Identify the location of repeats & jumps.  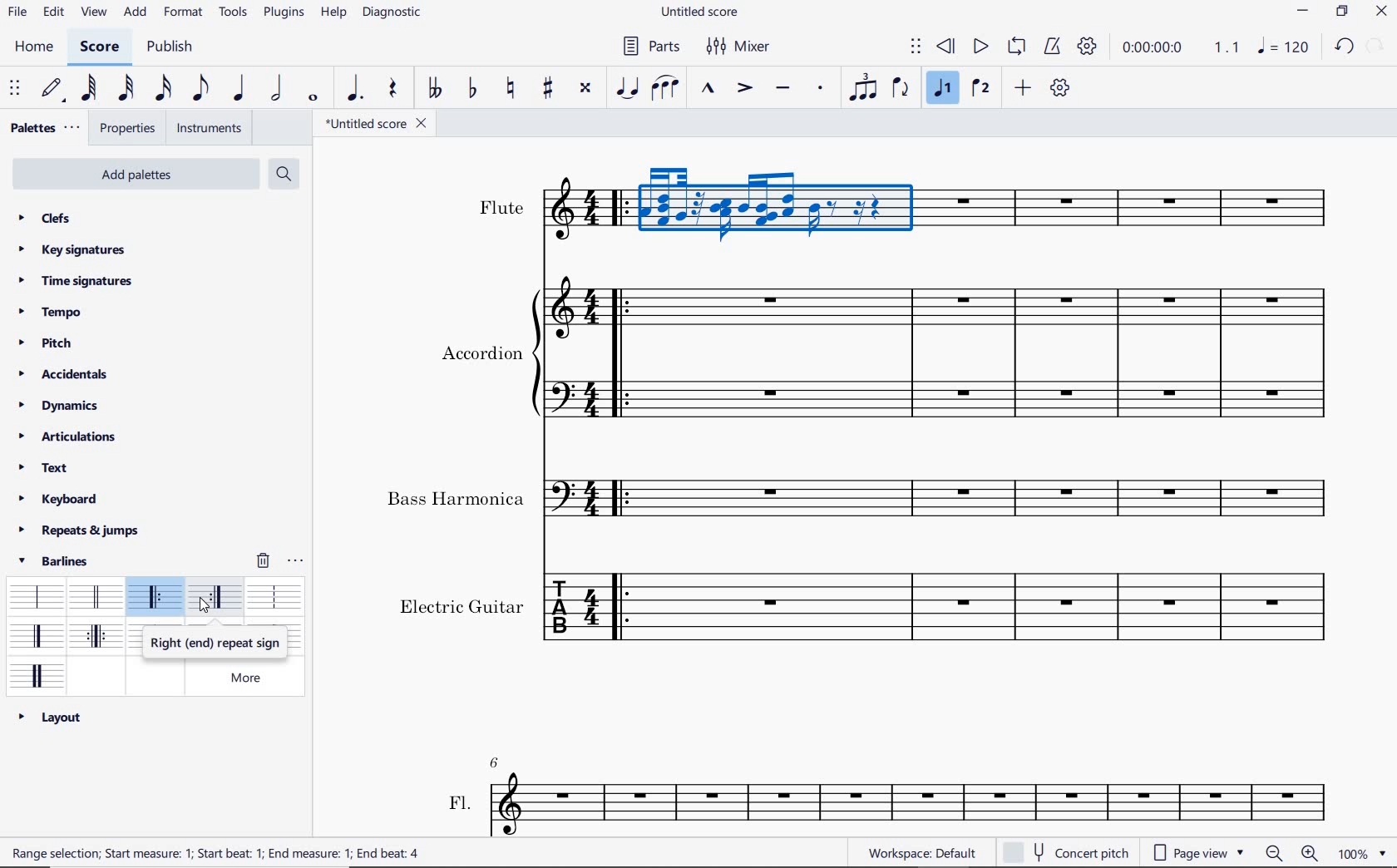
(79, 530).